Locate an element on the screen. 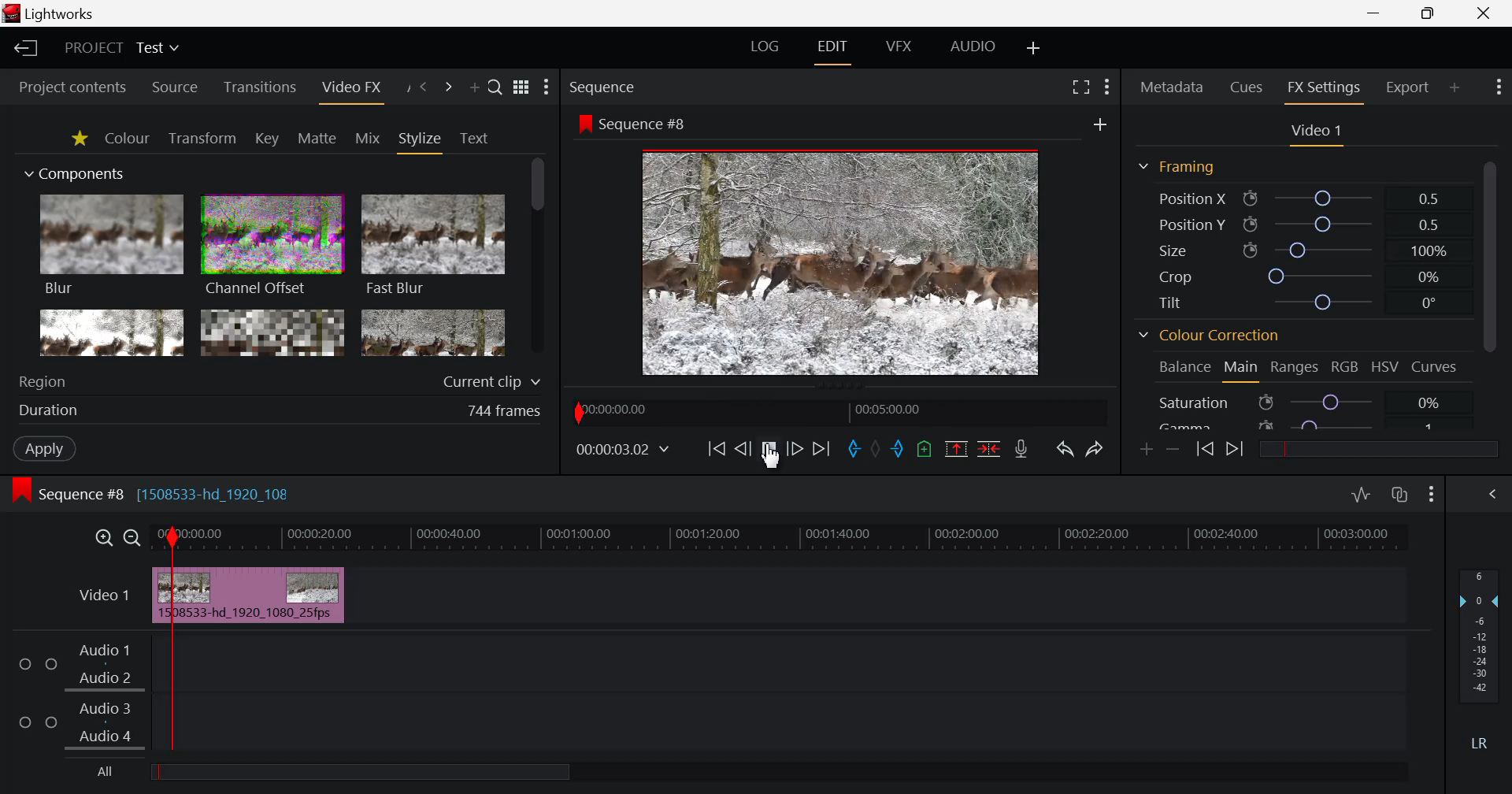  Restore Down is located at coordinates (1376, 13).